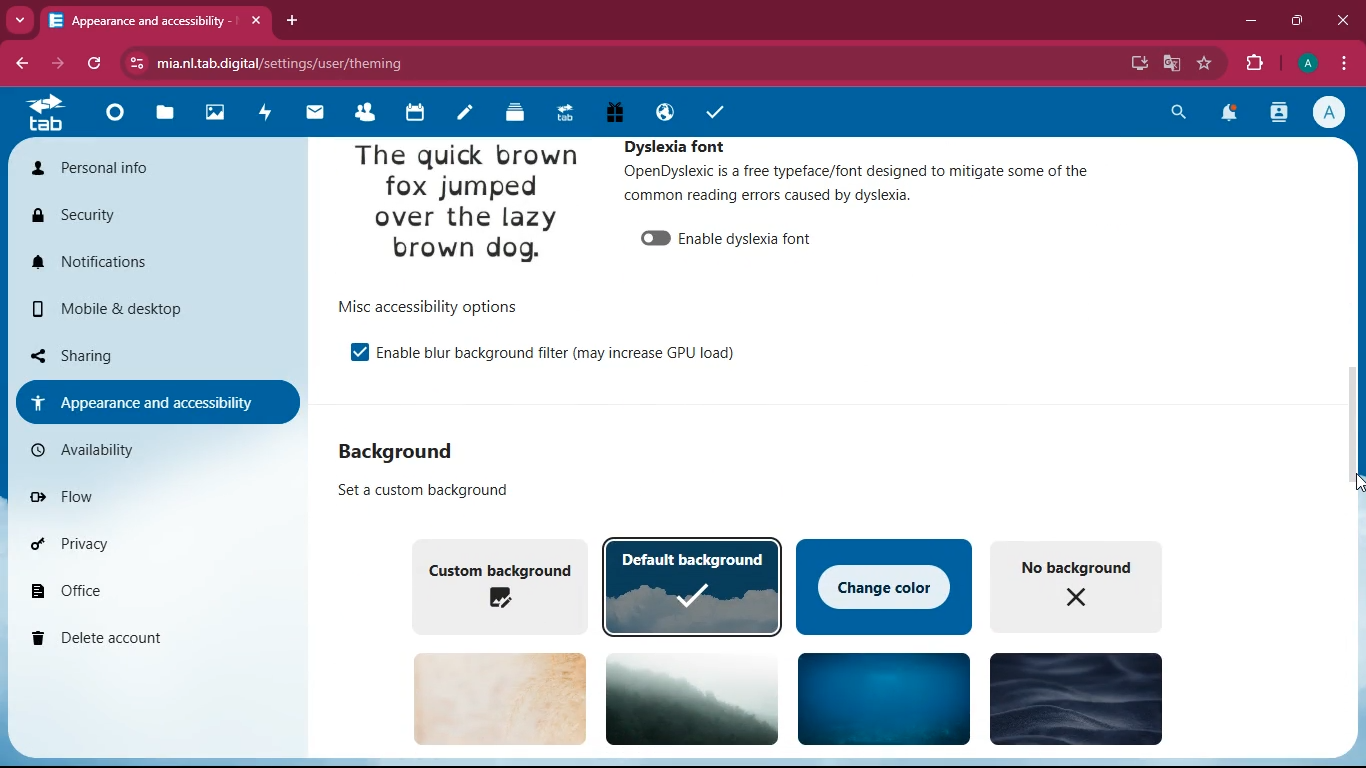  I want to click on personal info, so click(128, 168).